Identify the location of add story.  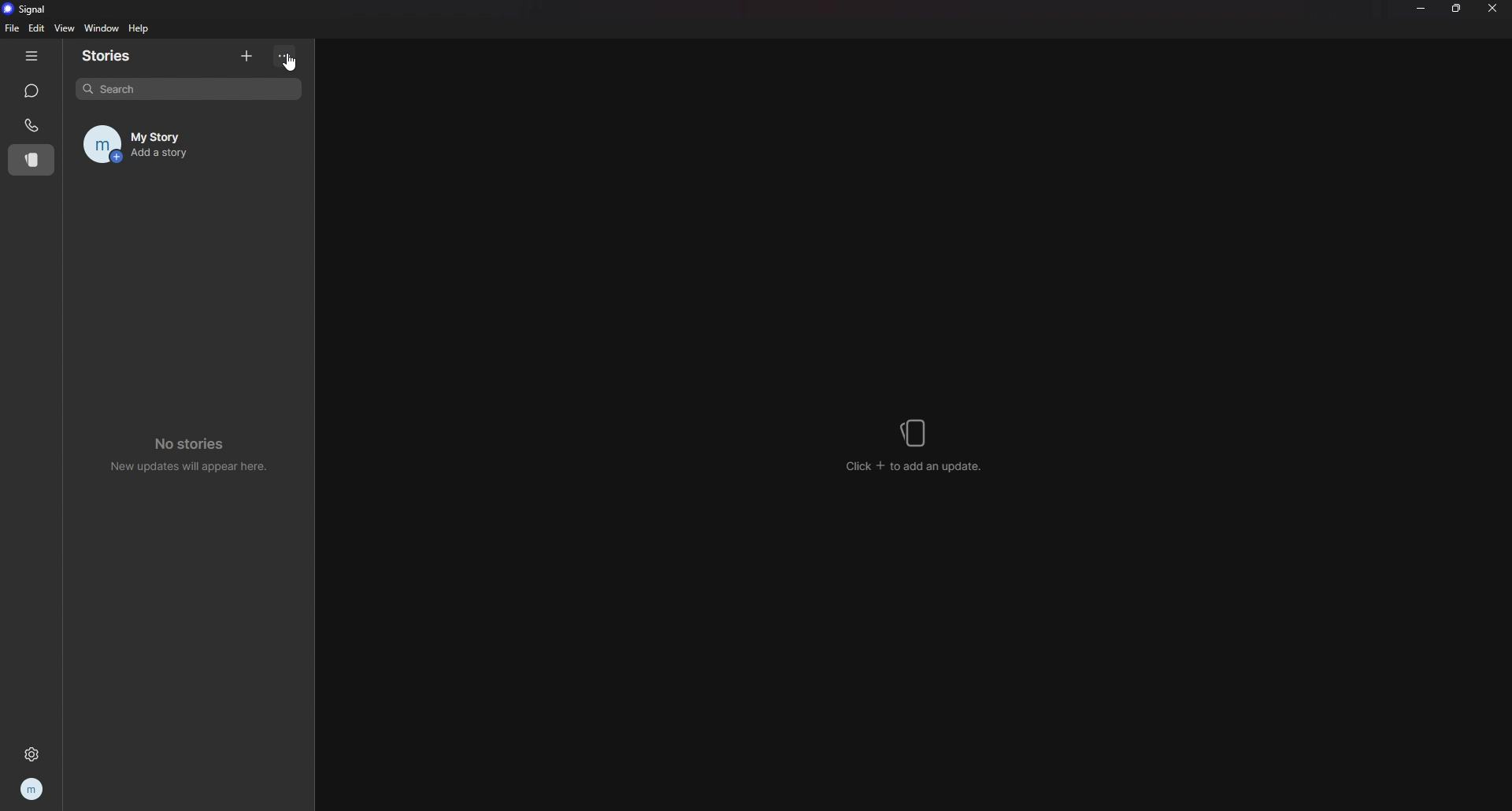
(248, 54).